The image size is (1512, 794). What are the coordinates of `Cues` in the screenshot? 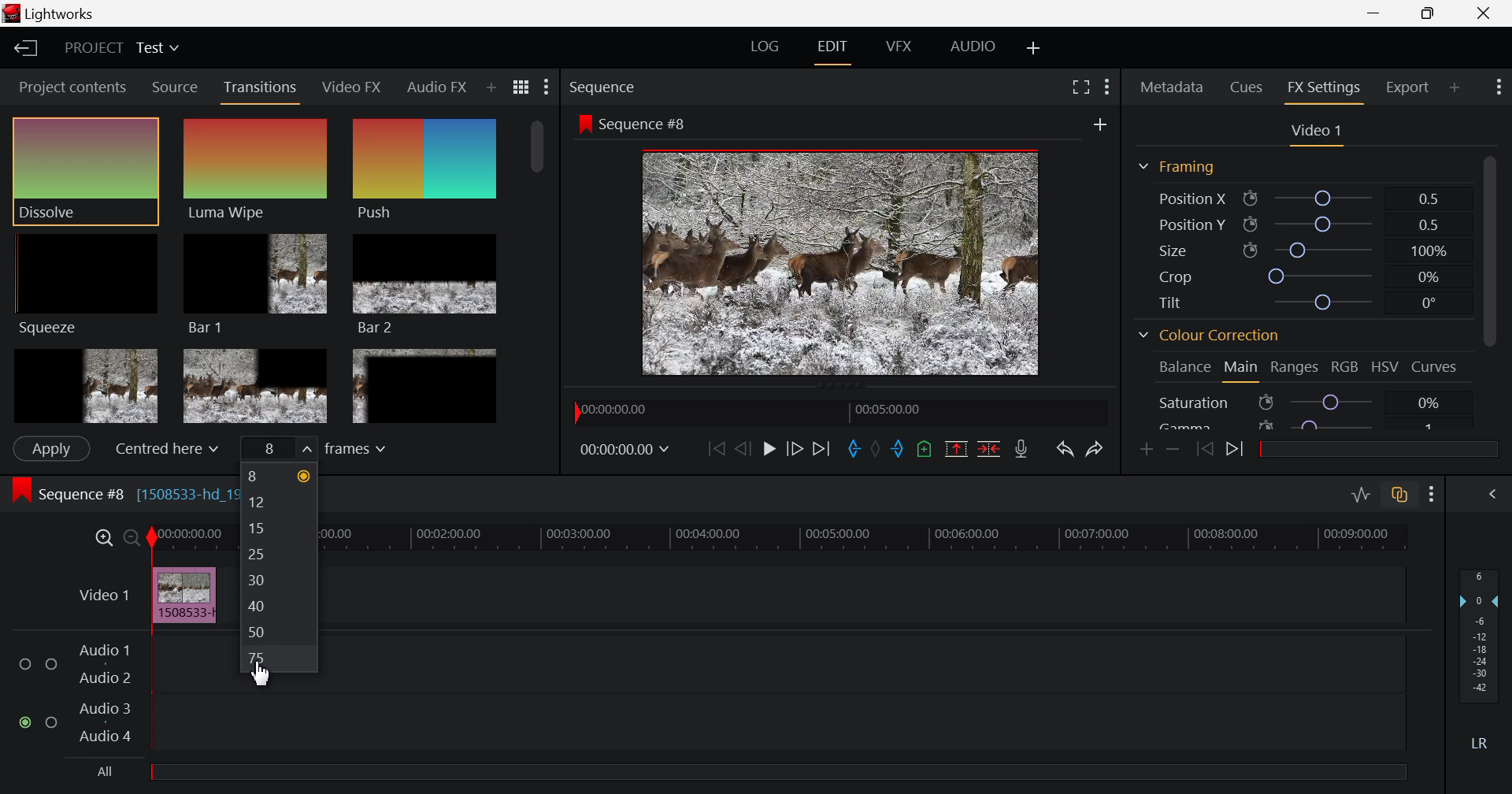 It's located at (1247, 86).